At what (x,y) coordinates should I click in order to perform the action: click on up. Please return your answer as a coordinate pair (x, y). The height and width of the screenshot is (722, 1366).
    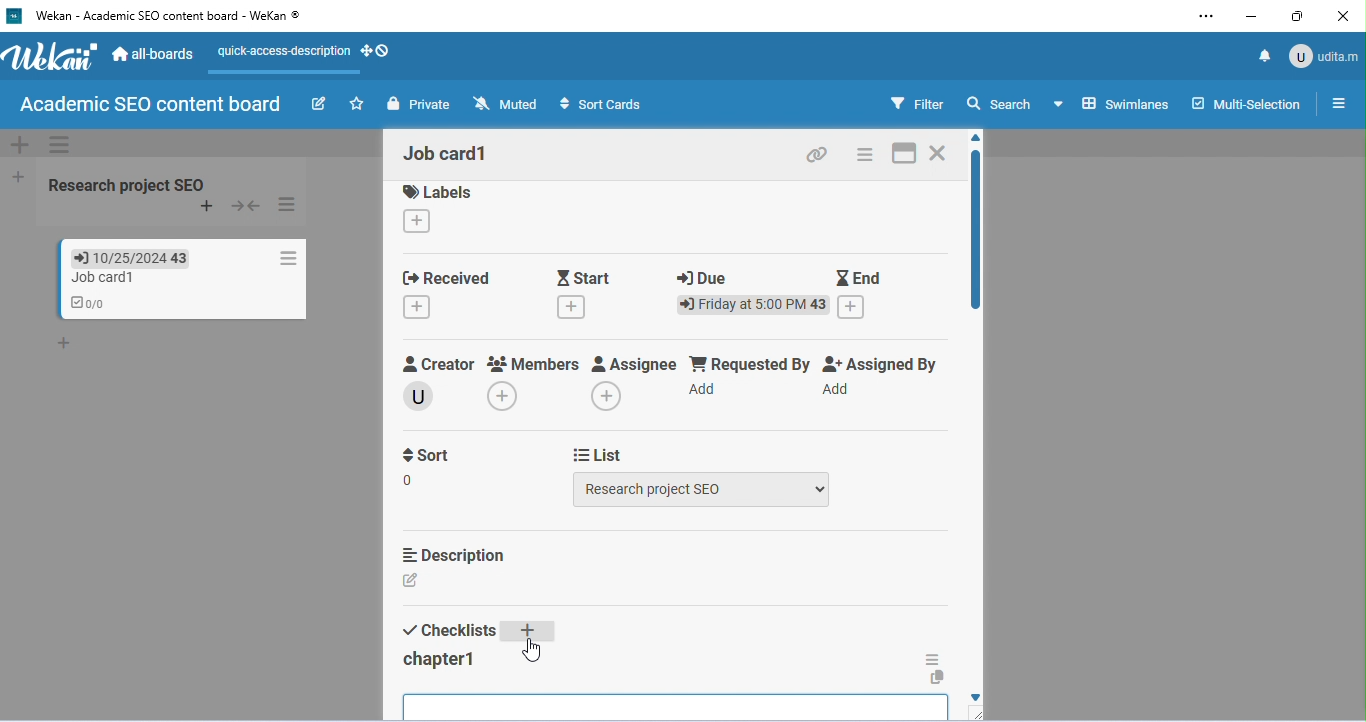
    Looking at the image, I should click on (981, 137).